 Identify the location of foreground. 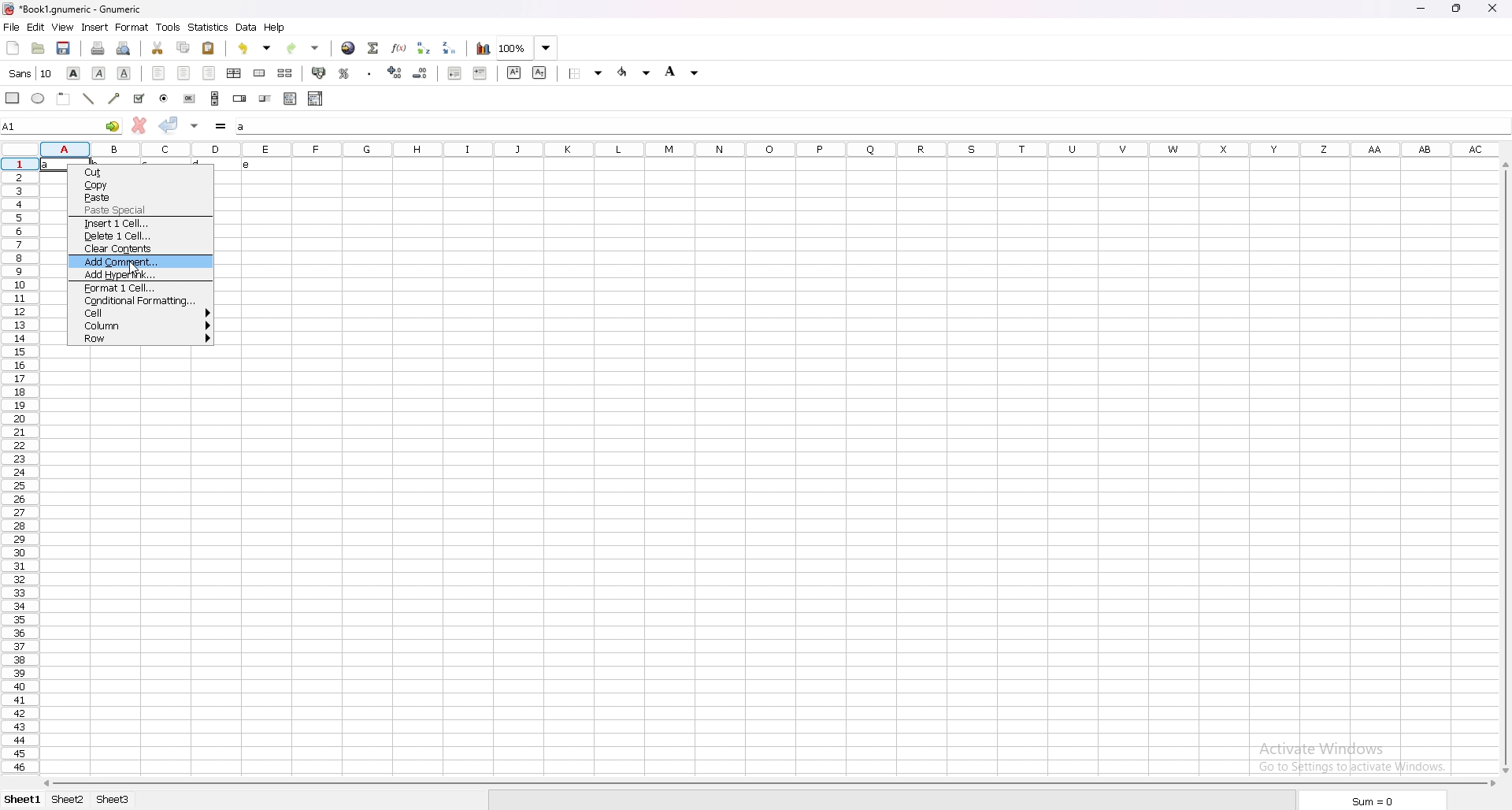
(635, 72).